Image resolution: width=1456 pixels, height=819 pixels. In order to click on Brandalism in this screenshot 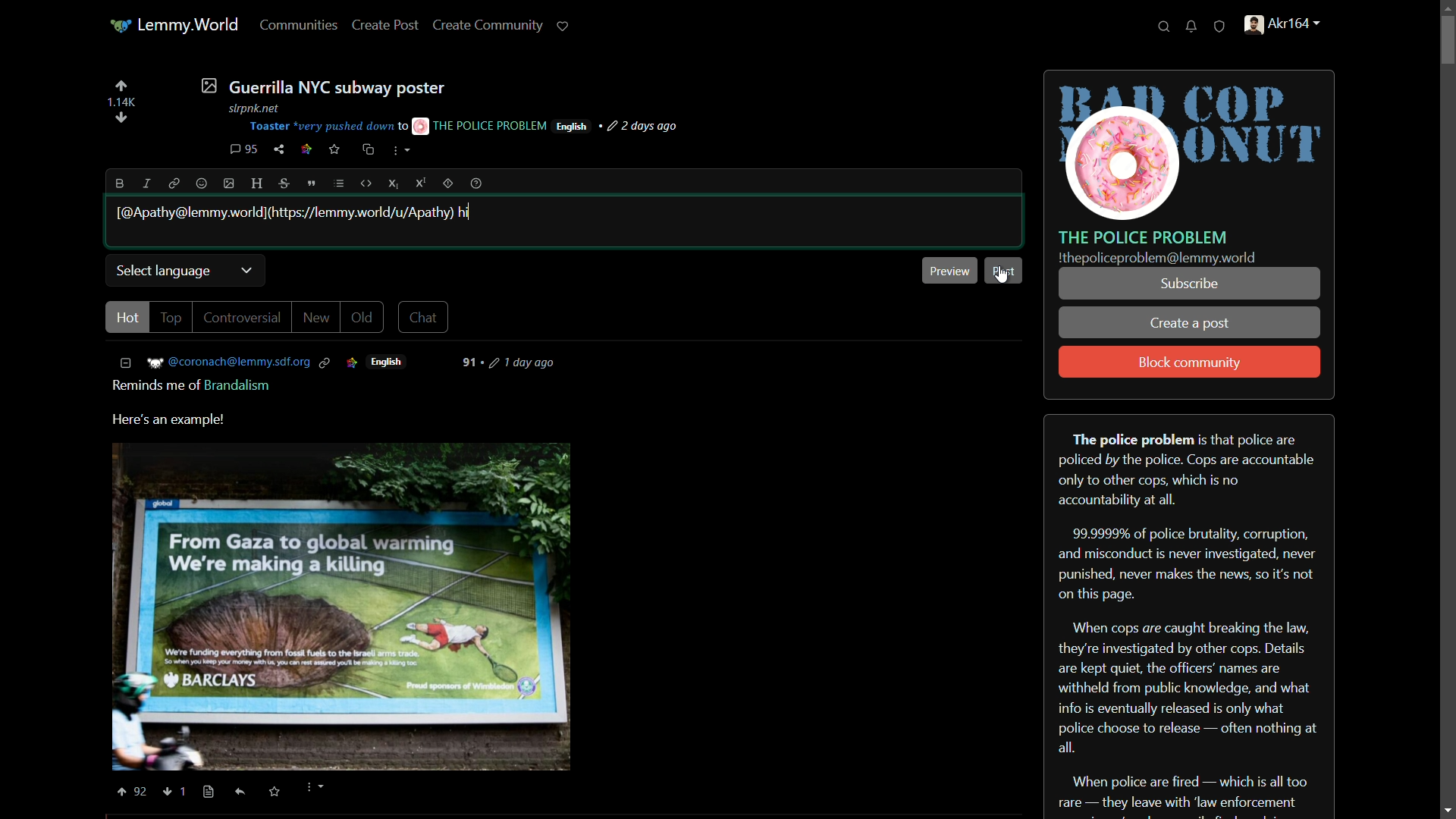, I will do `click(240, 385)`.